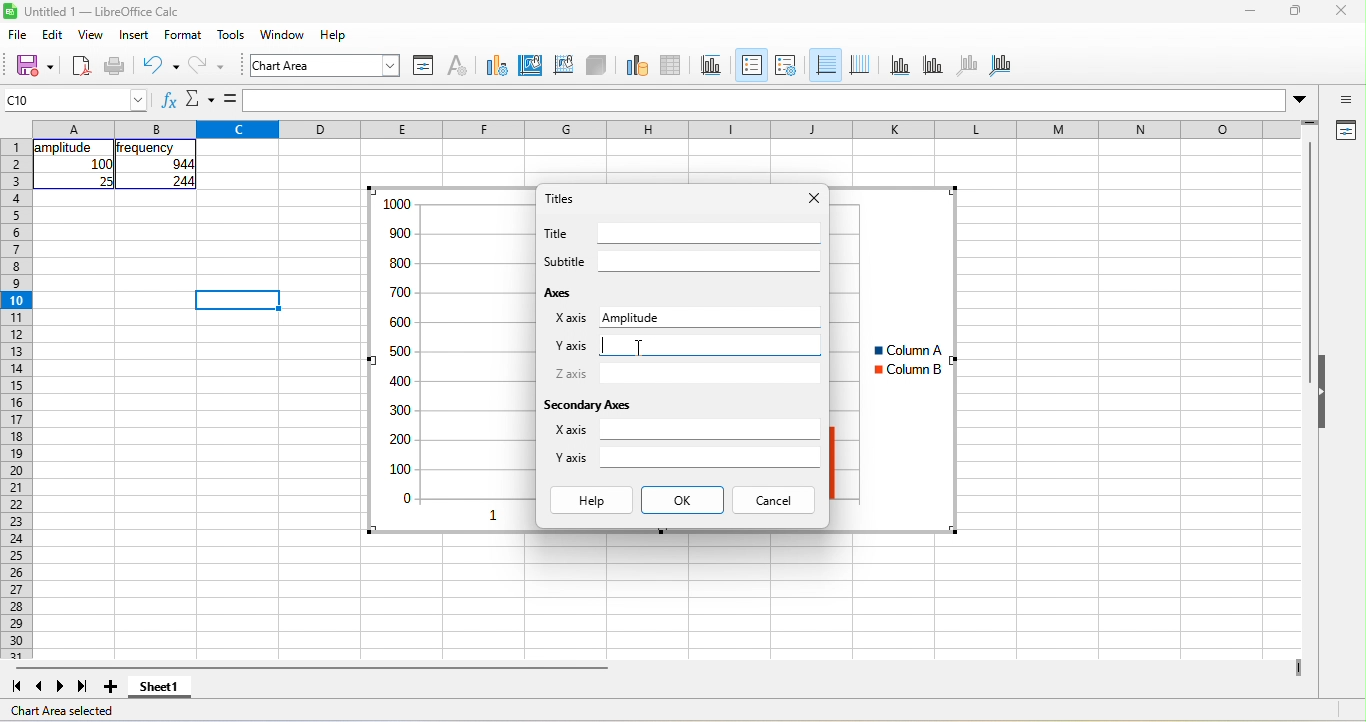 This screenshot has width=1366, height=722. I want to click on maximize, so click(1296, 10).